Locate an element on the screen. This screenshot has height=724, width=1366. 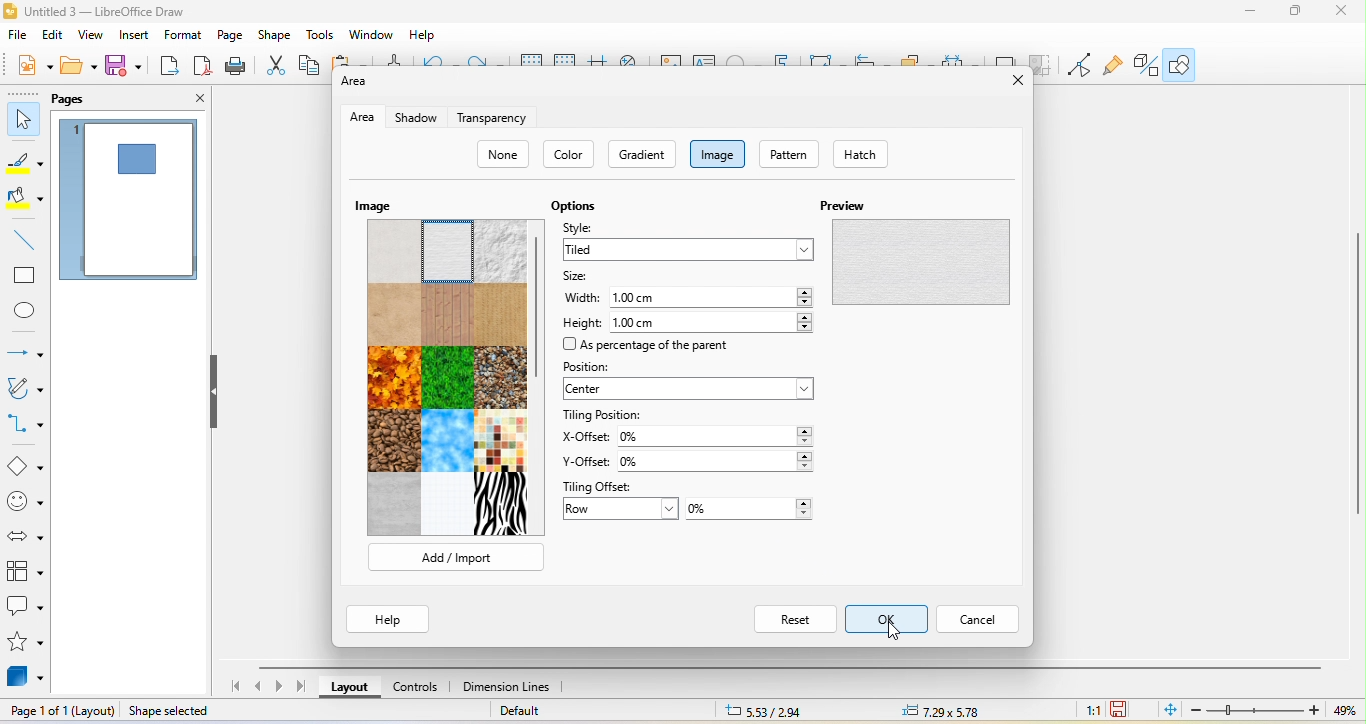
close is located at coordinates (1010, 83).